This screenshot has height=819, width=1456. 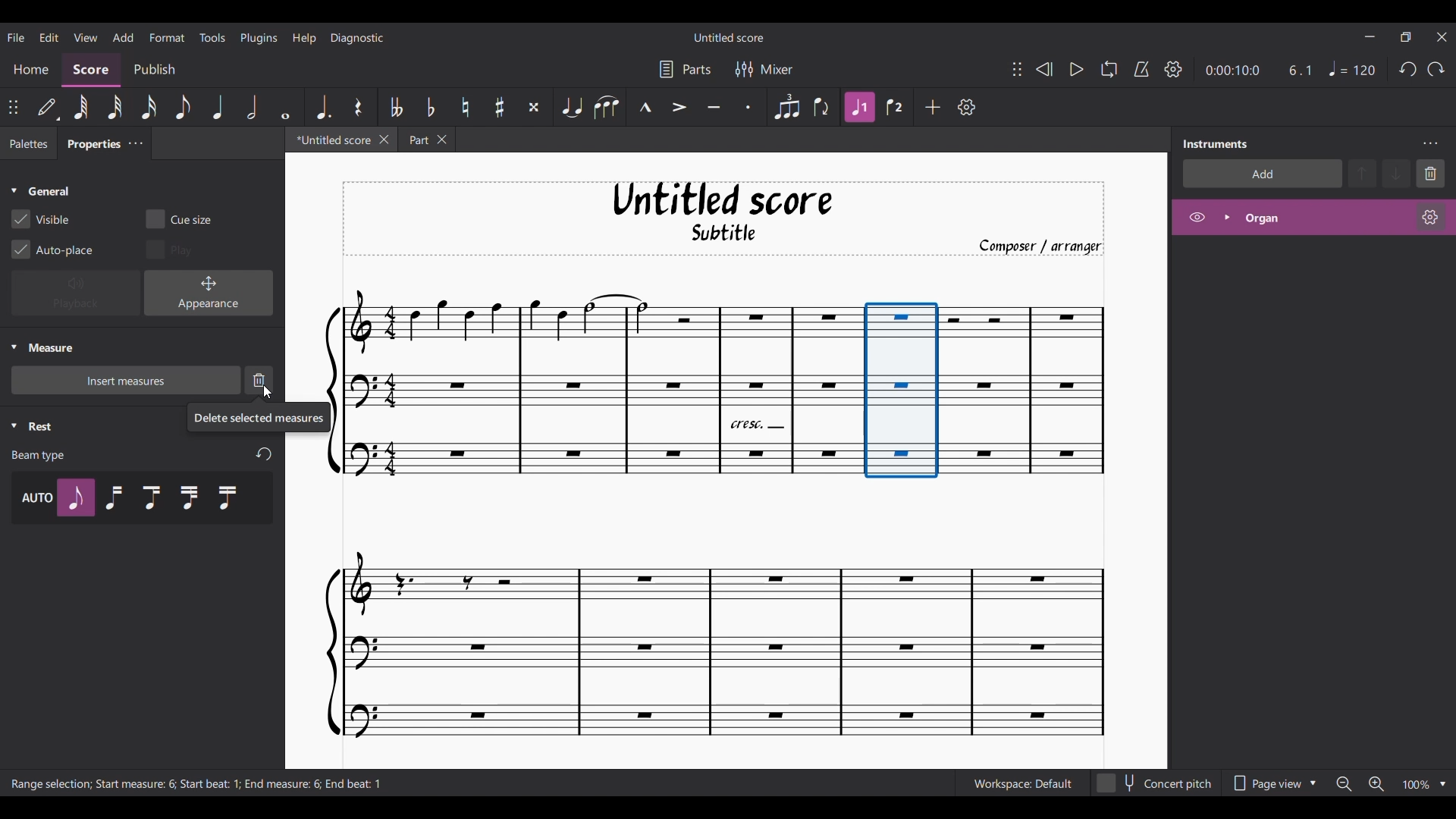 I want to click on Accent, so click(x=679, y=107).